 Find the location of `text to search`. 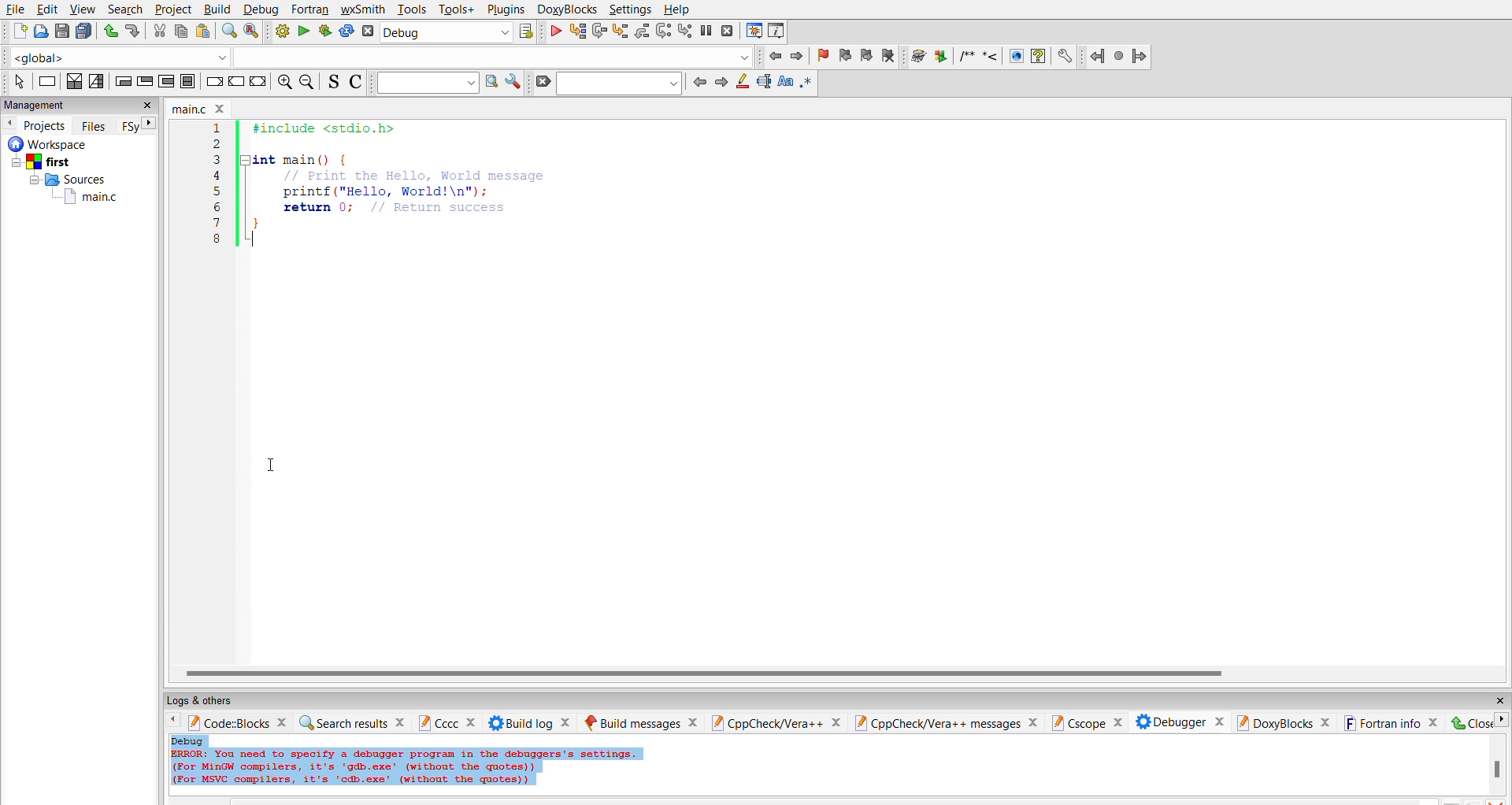

text to search is located at coordinates (429, 84).